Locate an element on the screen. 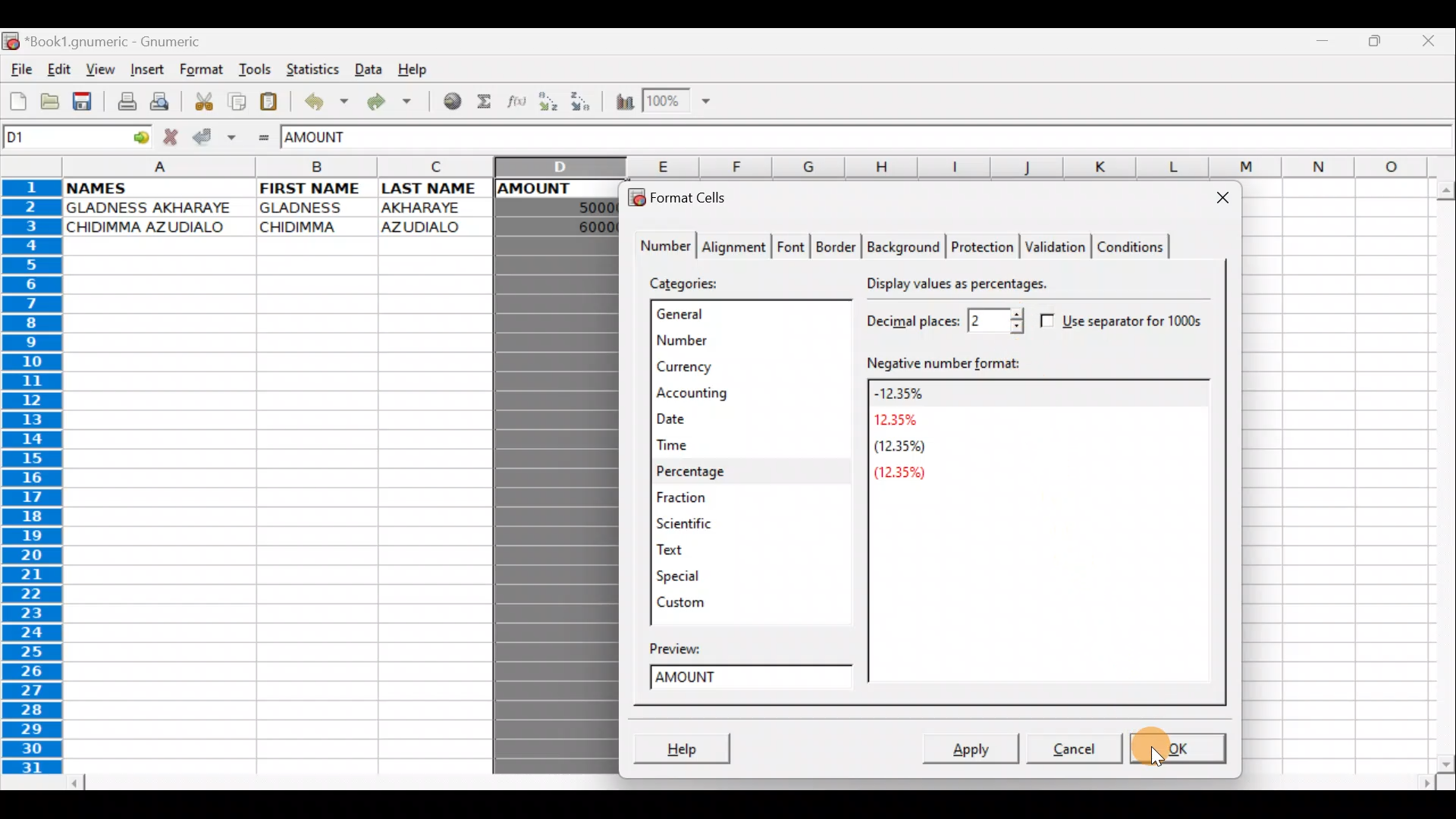 The height and width of the screenshot is (819, 1456). Insert Chart is located at coordinates (619, 102).